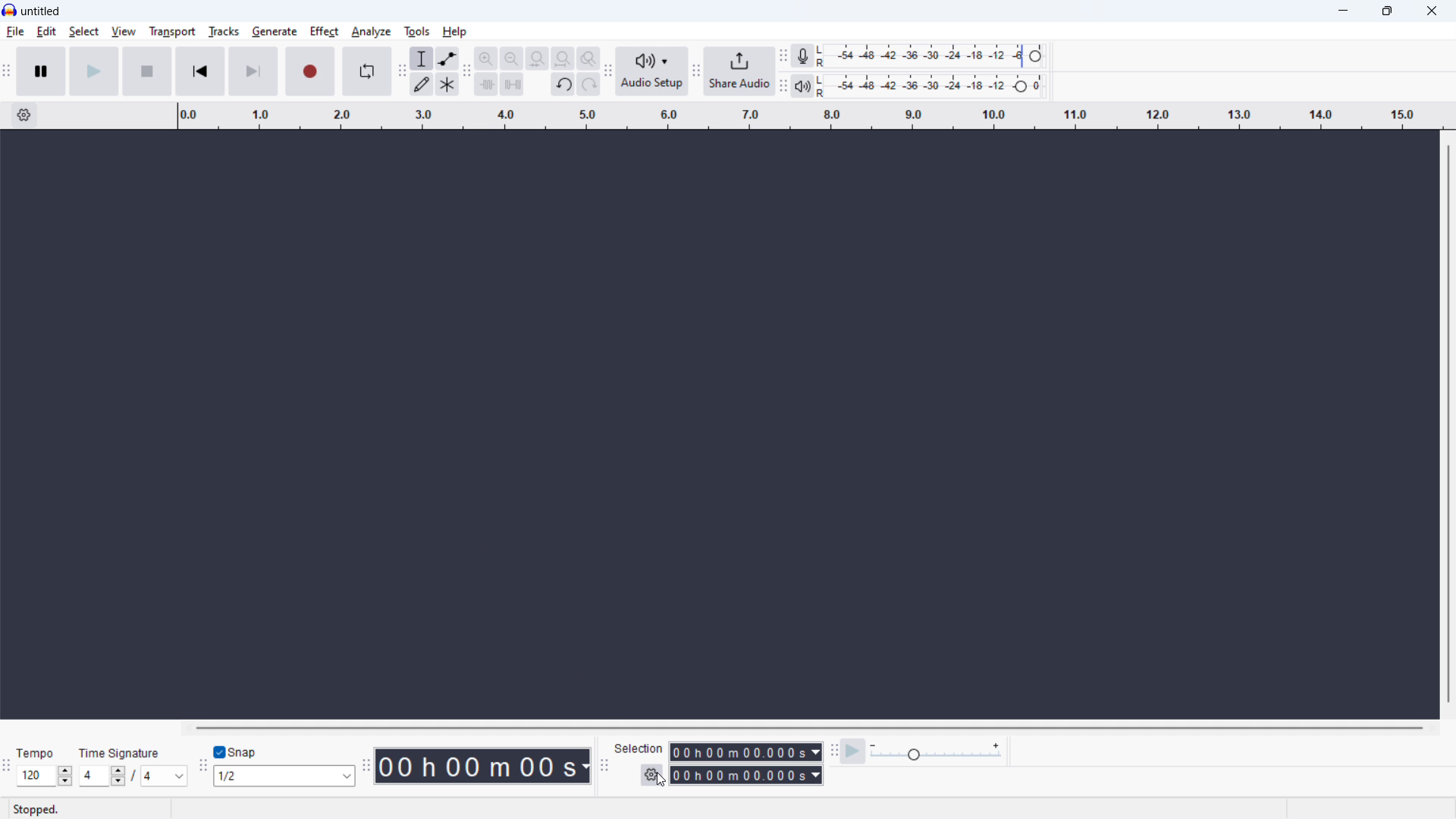 Image resolution: width=1456 pixels, height=819 pixels. Describe the element at coordinates (538, 58) in the screenshot. I see `fit selection to width` at that location.